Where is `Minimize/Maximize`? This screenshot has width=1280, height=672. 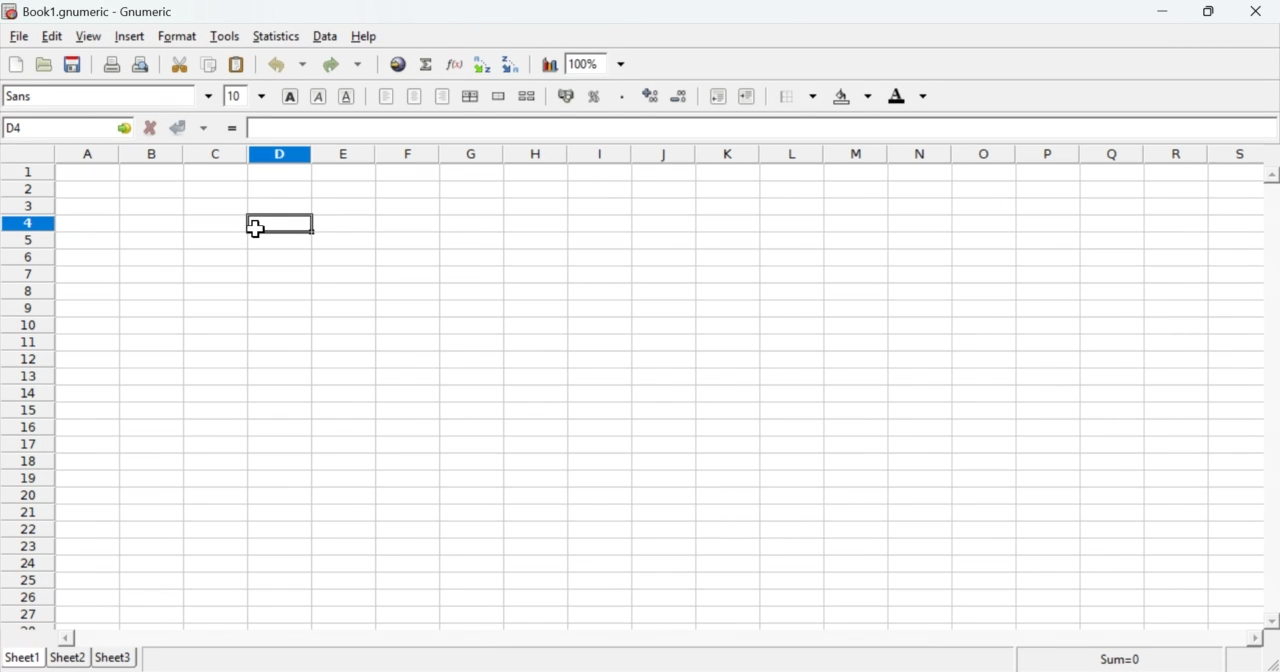
Minimize/Maximize is located at coordinates (1215, 11).